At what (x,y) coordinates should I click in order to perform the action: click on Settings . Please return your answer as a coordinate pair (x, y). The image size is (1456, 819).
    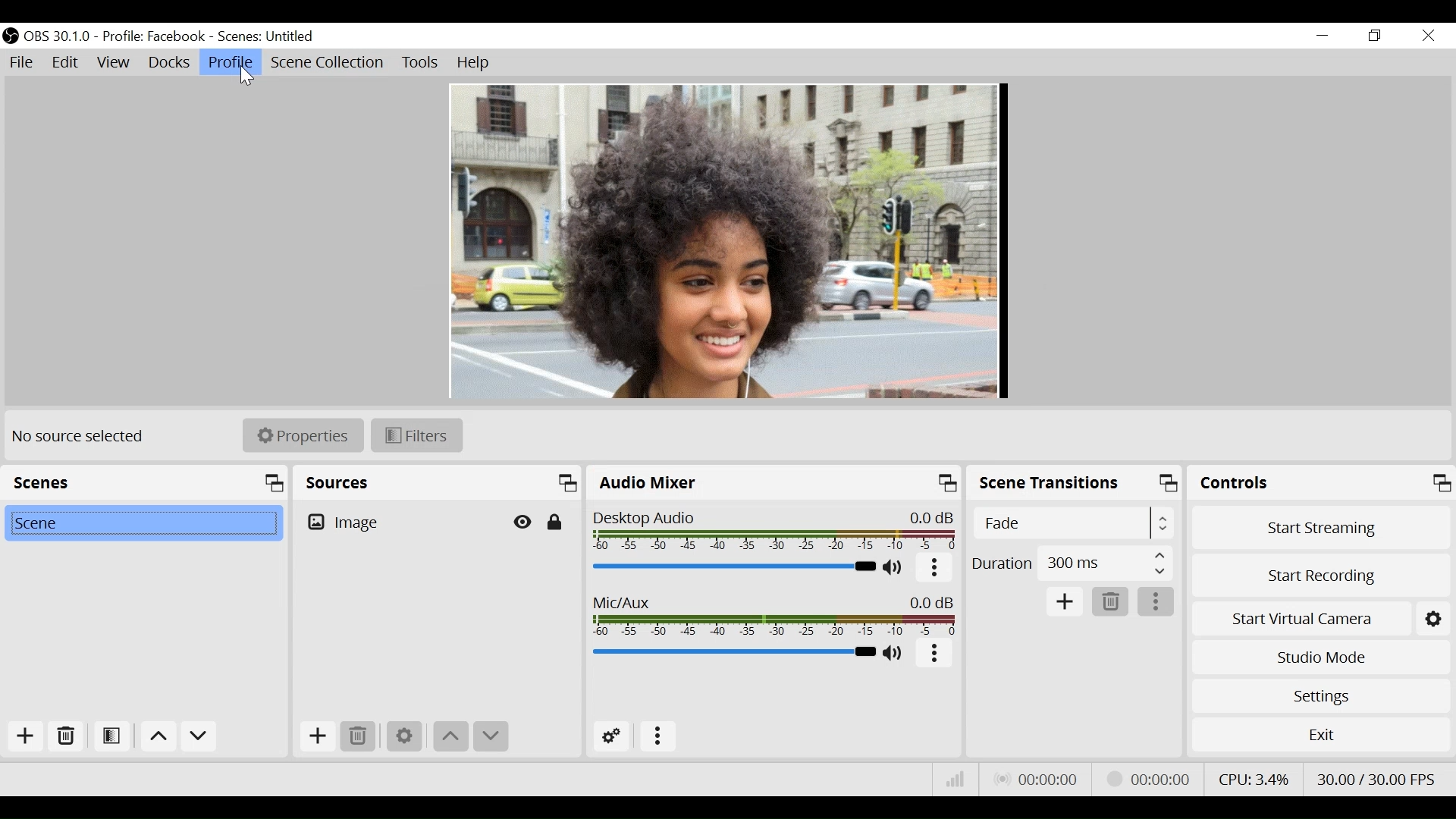
    Looking at the image, I should click on (1320, 696).